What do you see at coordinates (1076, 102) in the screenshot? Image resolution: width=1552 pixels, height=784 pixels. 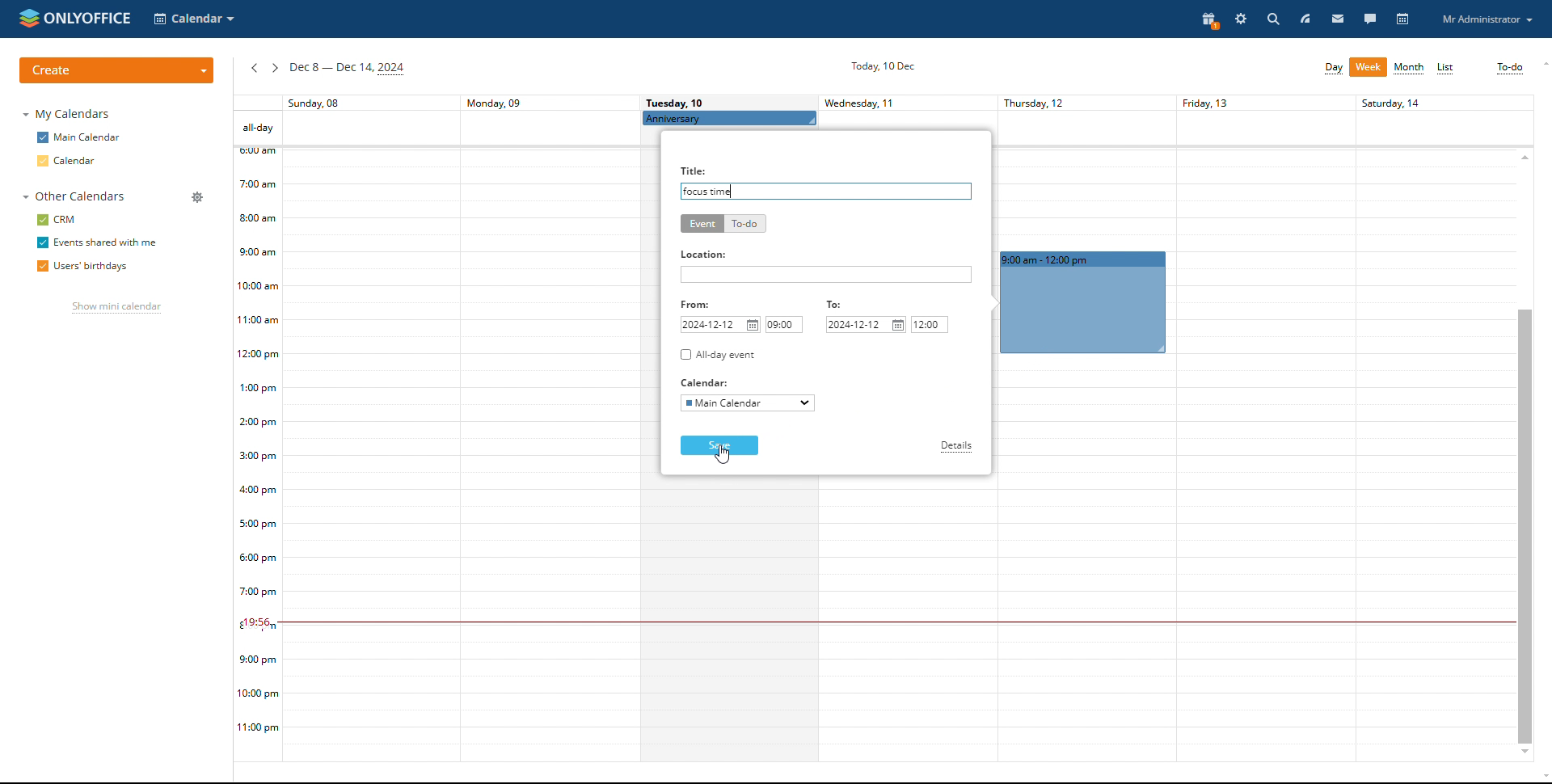 I see `Thursday, 12` at bounding box center [1076, 102].